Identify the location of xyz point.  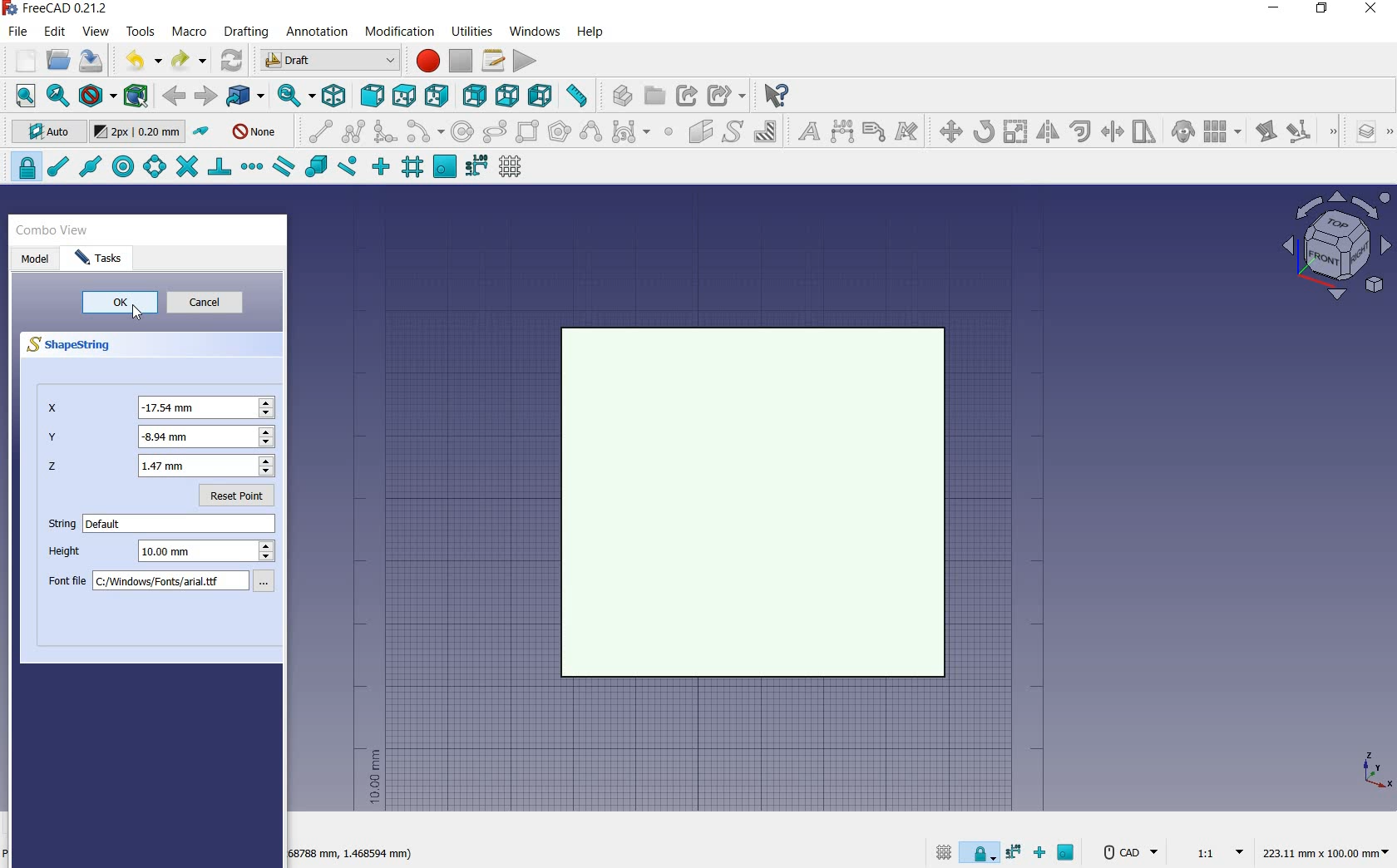
(1376, 770).